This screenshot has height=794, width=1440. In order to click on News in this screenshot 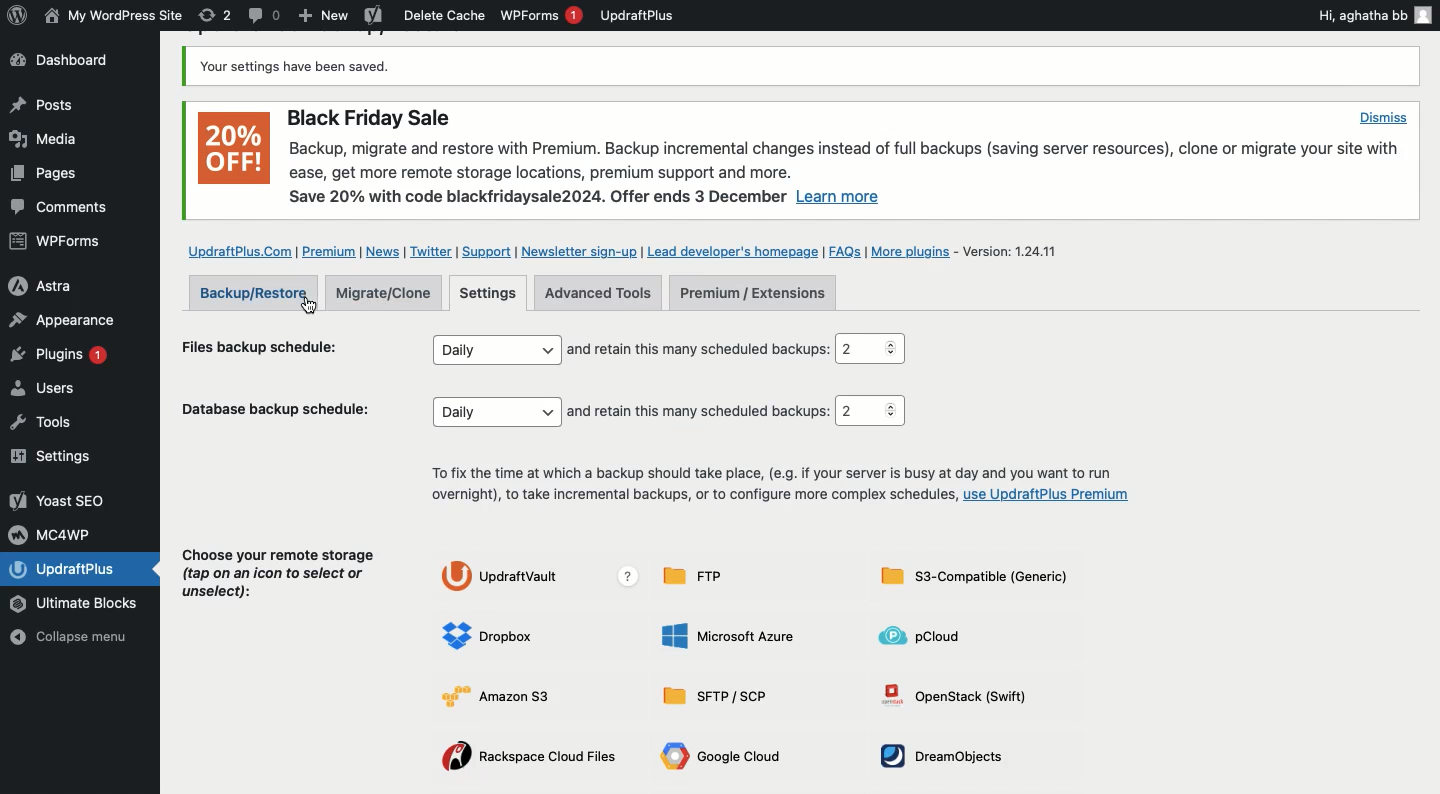, I will do `click(382, 253)`.